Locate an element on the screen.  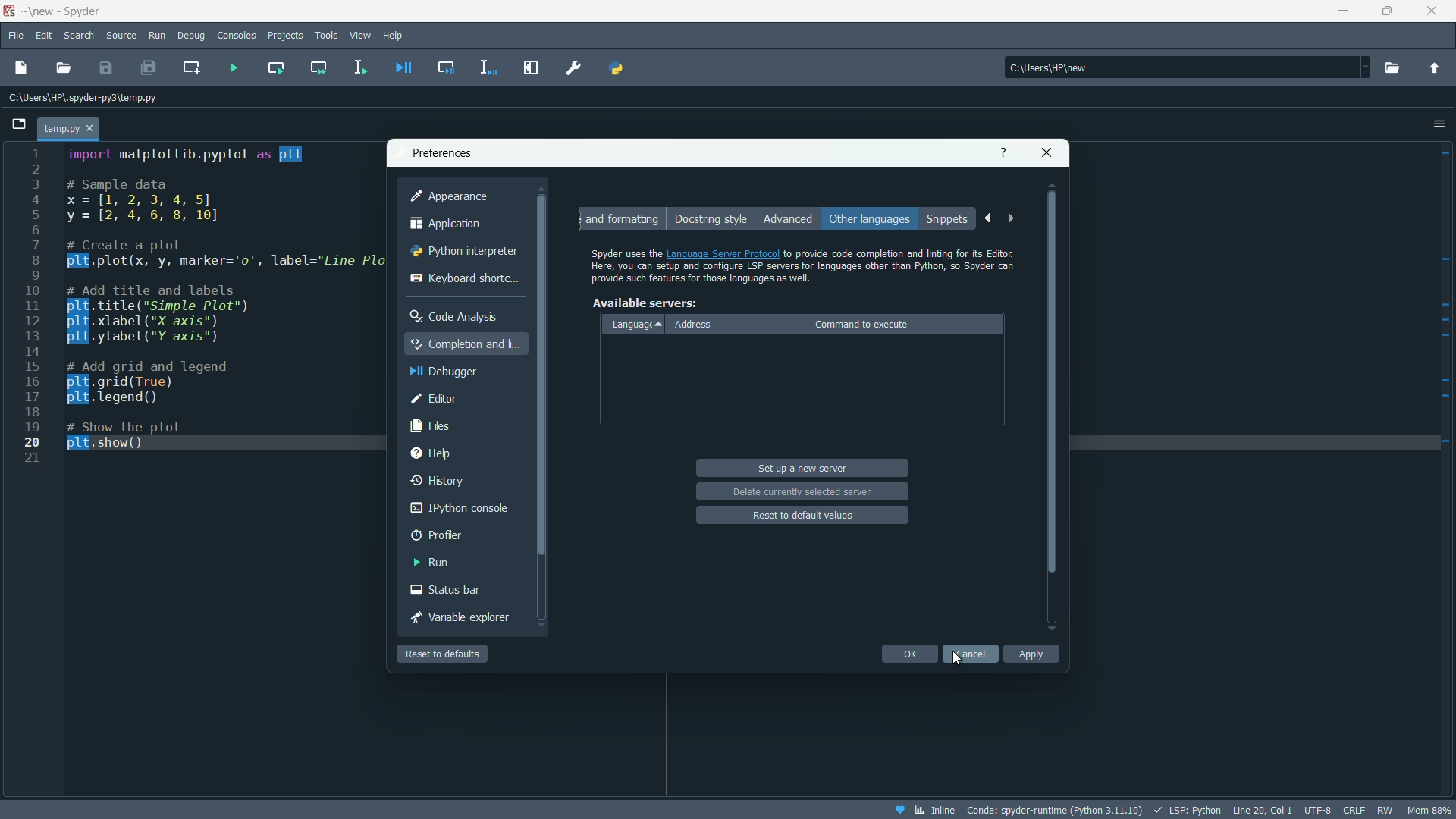
line numbers is located at coordinates (33, 306).